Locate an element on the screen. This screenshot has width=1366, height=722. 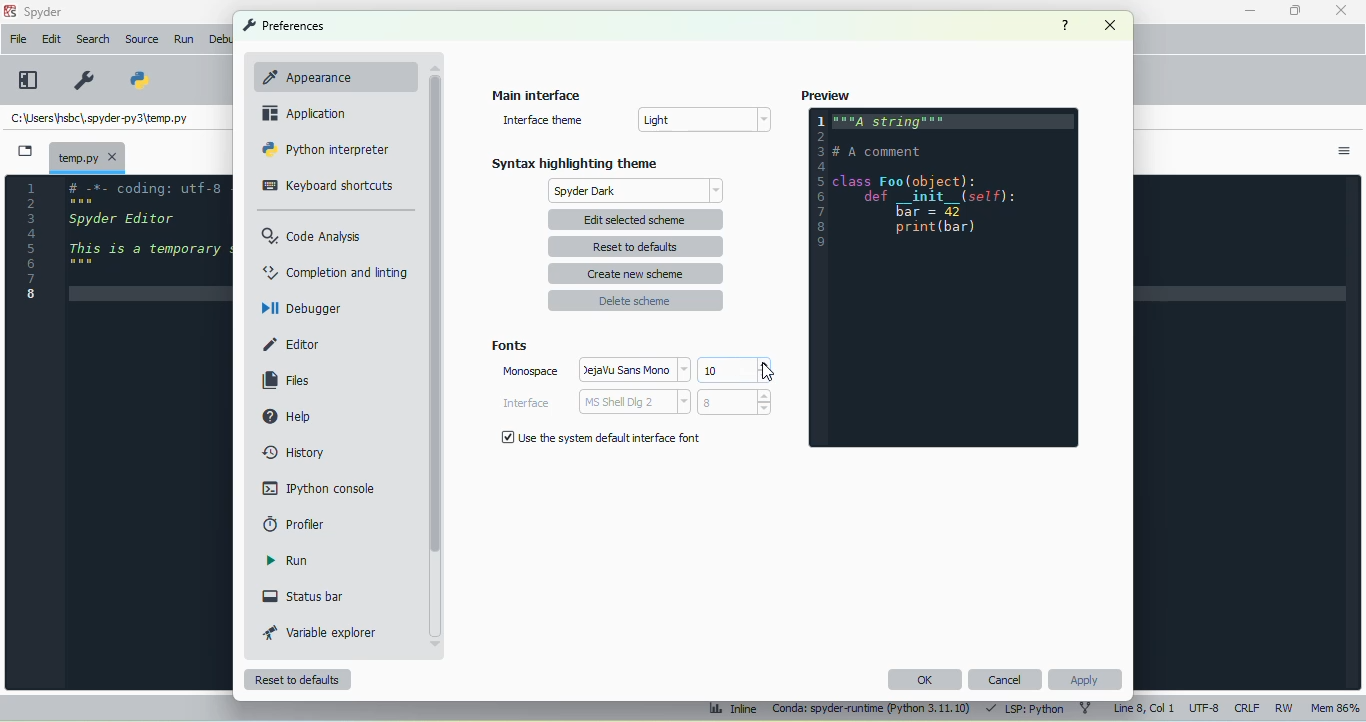
delete scheme is located at coordinates (635, 300).